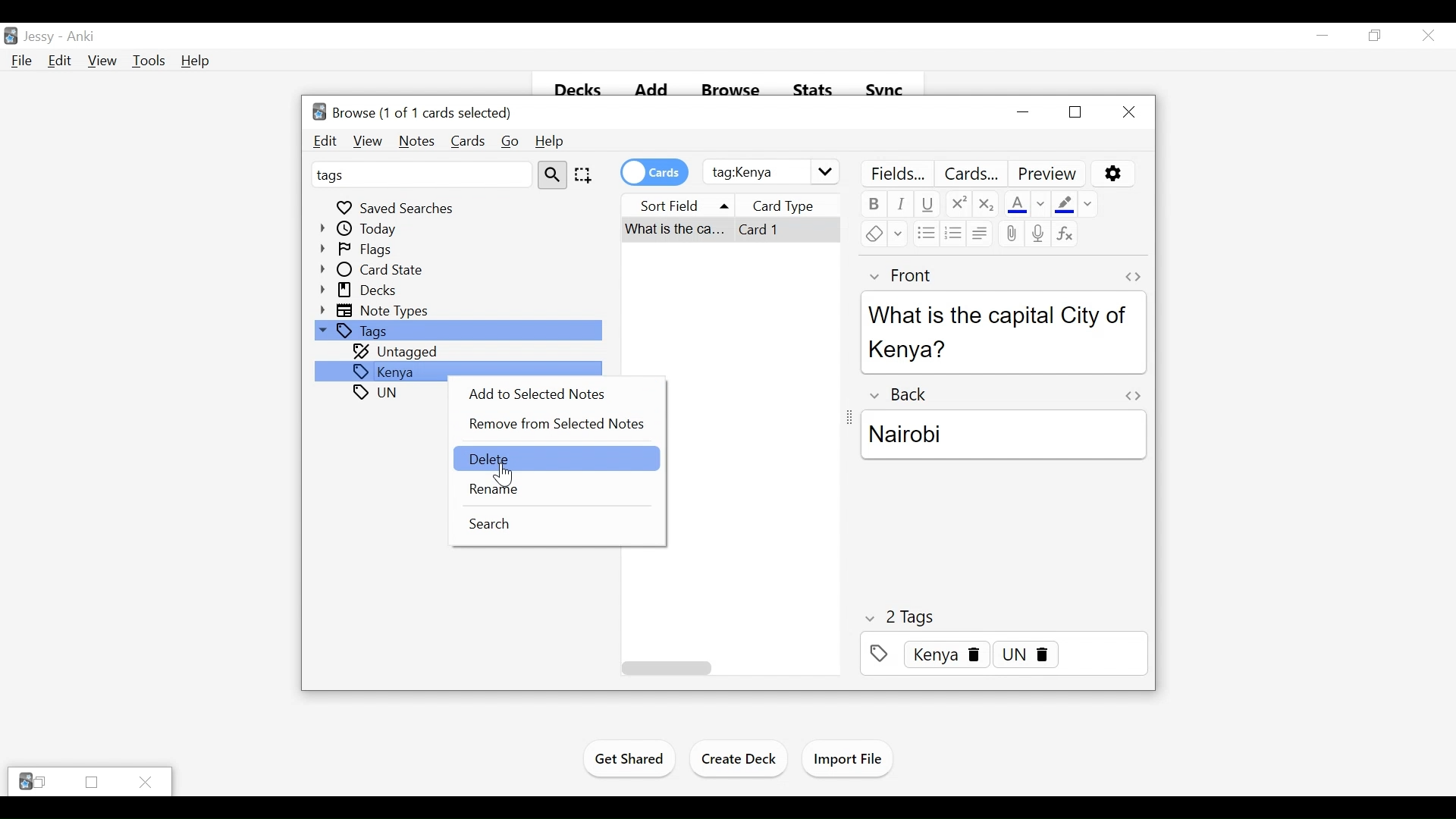 This screenshot has width=1456, height=819. What do you see at coordinates (1426, 36) in the screenshot?
I see `Close` at bounding box center [1426, 36].